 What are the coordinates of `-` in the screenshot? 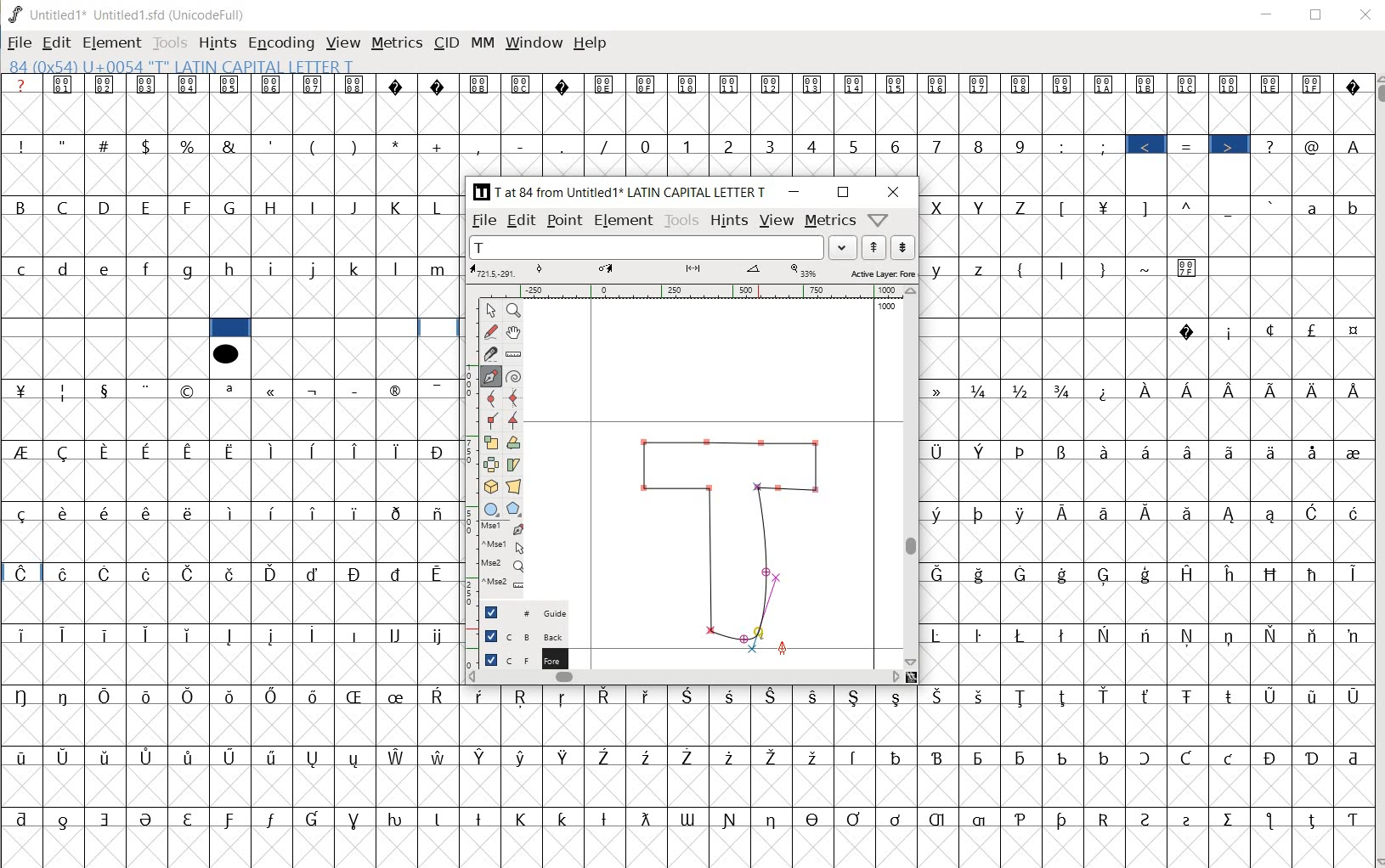 It's located at (521, 145).